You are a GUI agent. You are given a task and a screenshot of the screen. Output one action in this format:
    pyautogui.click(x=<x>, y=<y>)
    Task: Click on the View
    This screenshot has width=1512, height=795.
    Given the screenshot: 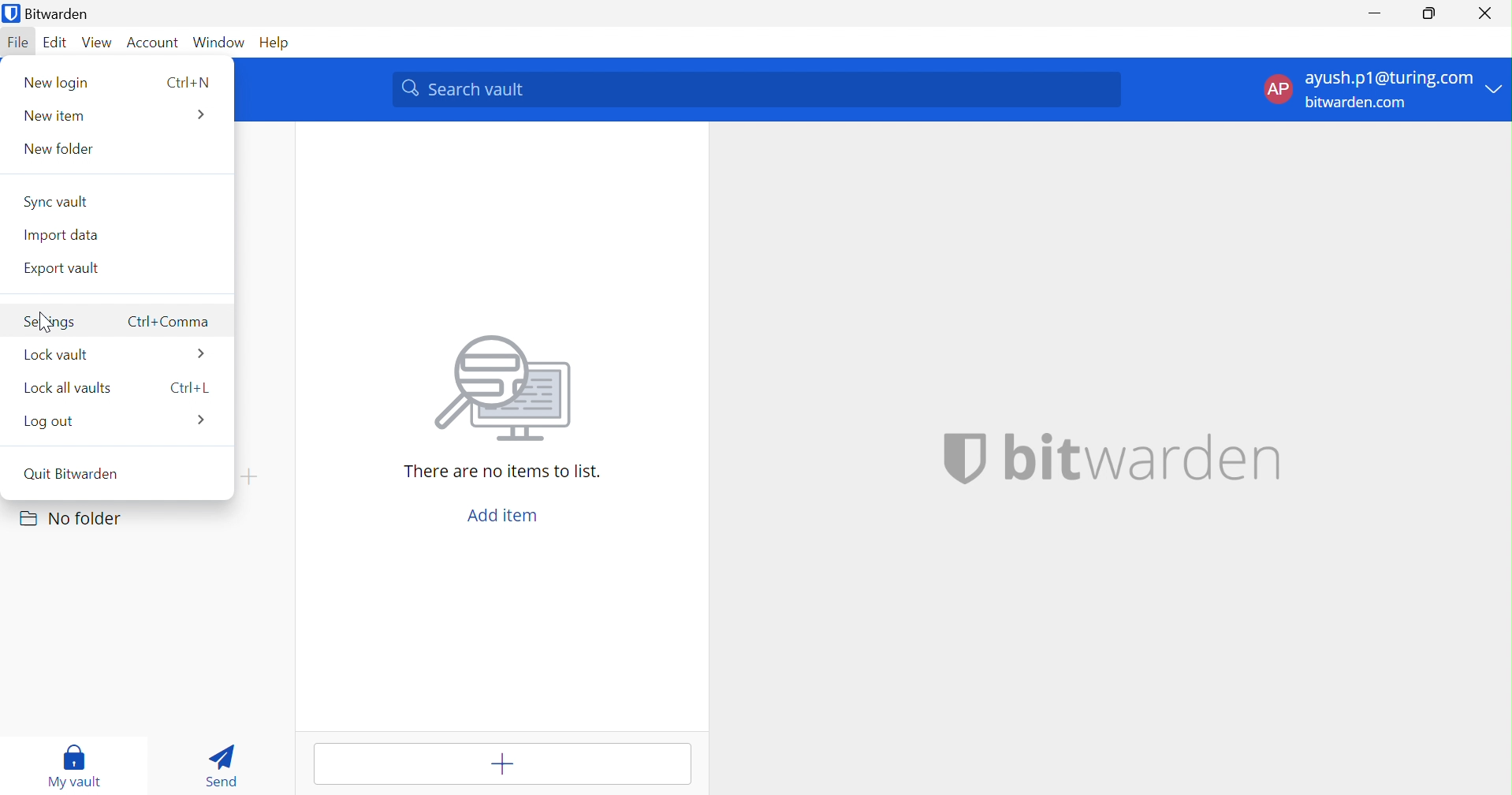 What is the action you would take?
    pyautogui.click(x=99, y=42)
    